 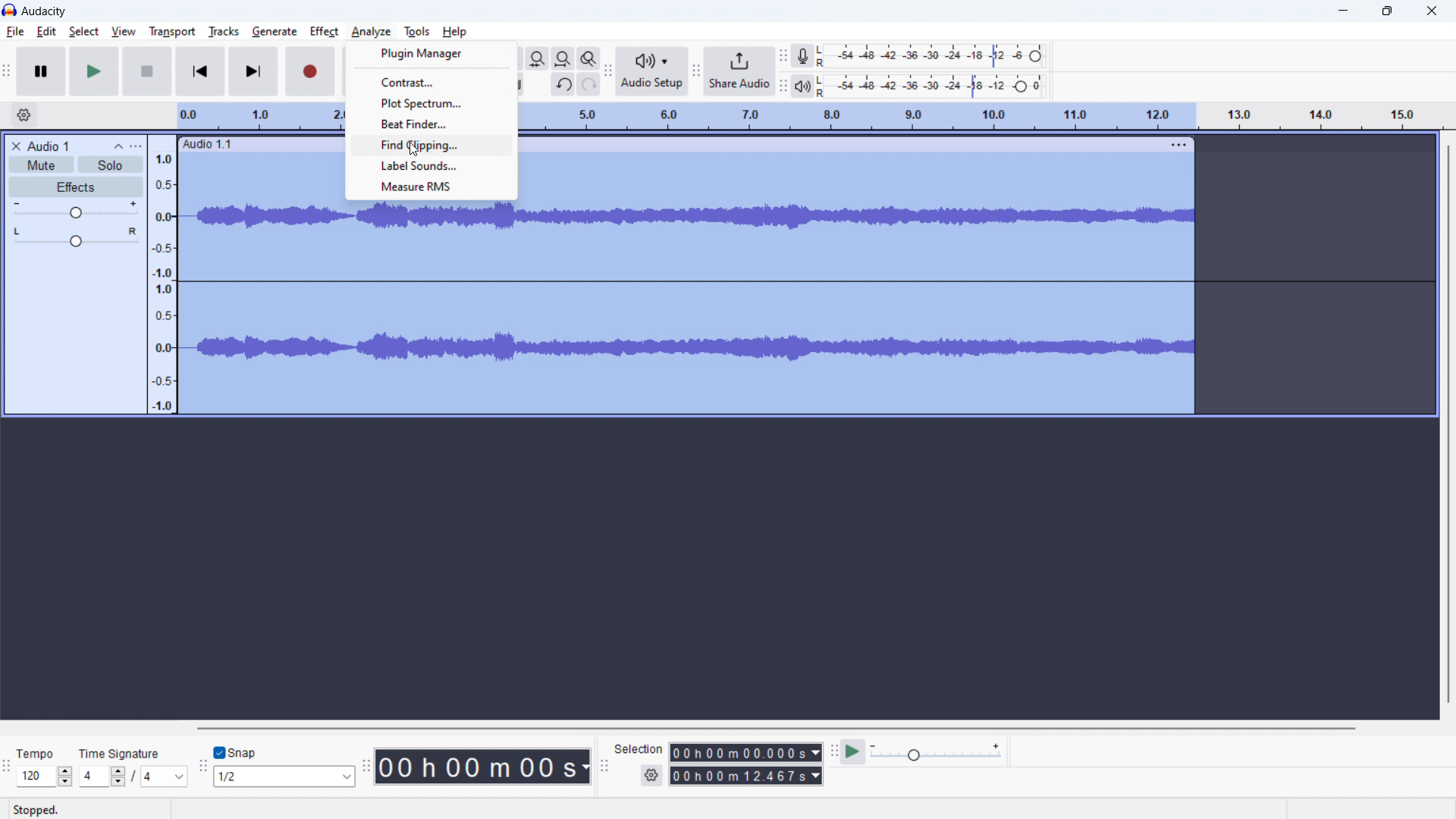 I want to click on tools, so click(x=416, y=31).